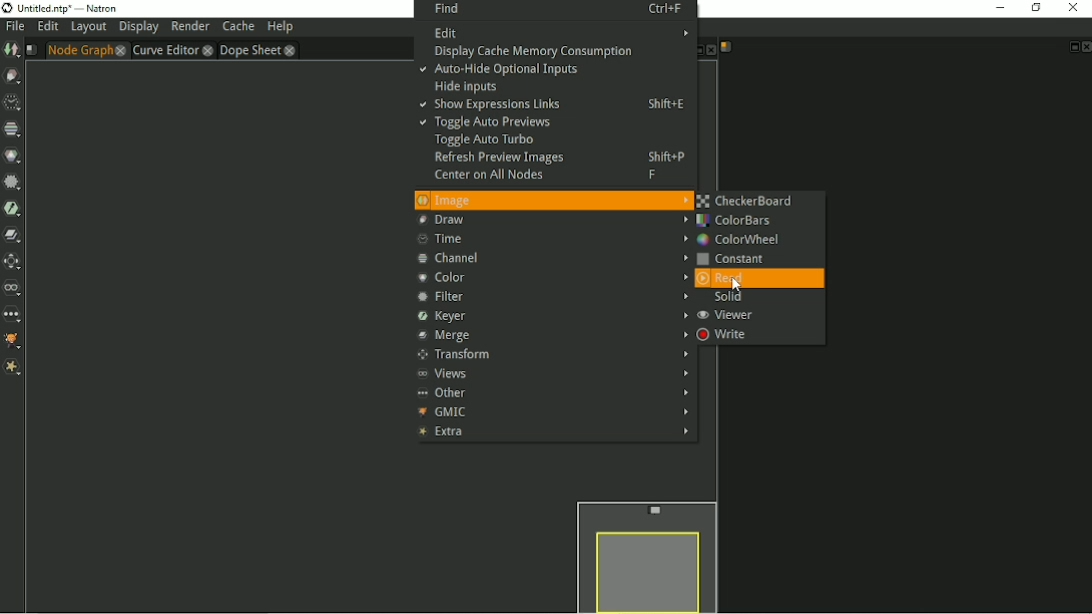 The height and width of the screenshot is (614, 1092). Describe the element at coordinates (47, 27) in the screenshot. I see `Edit` at that location.